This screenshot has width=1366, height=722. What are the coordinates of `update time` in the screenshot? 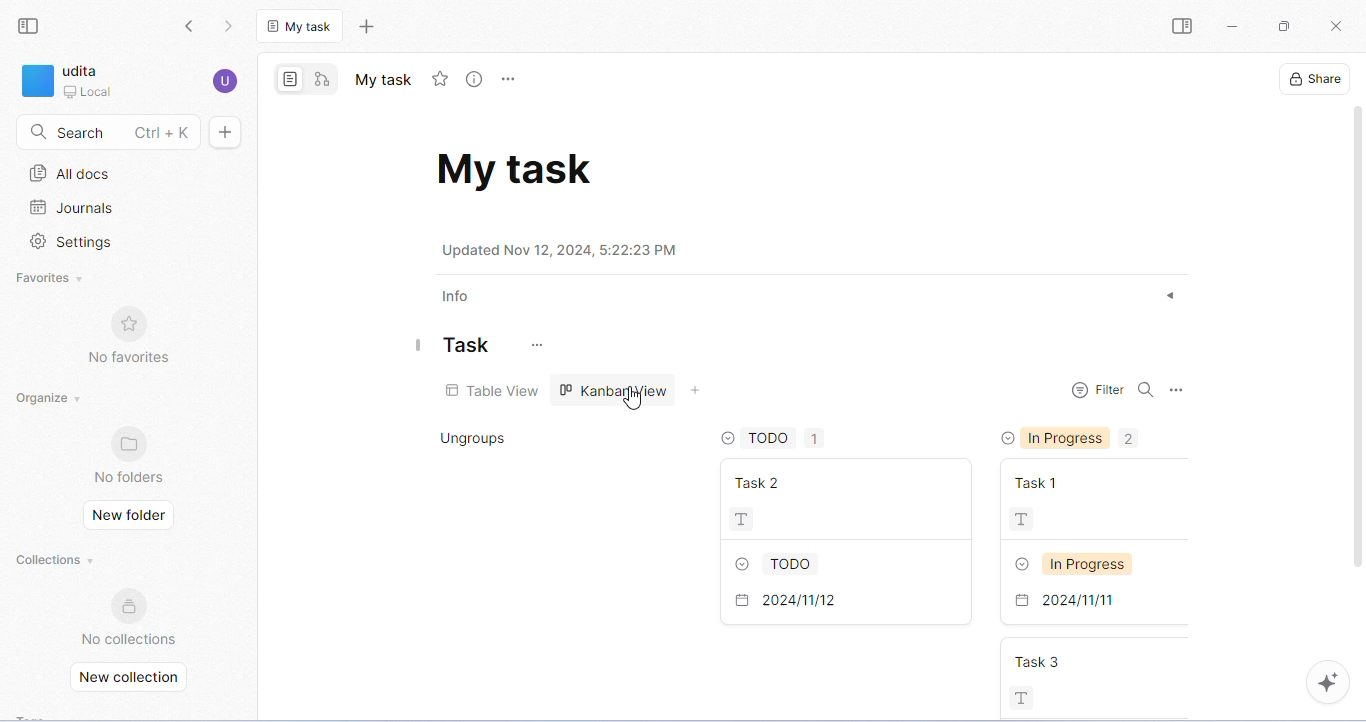 It's located at (566, 251).